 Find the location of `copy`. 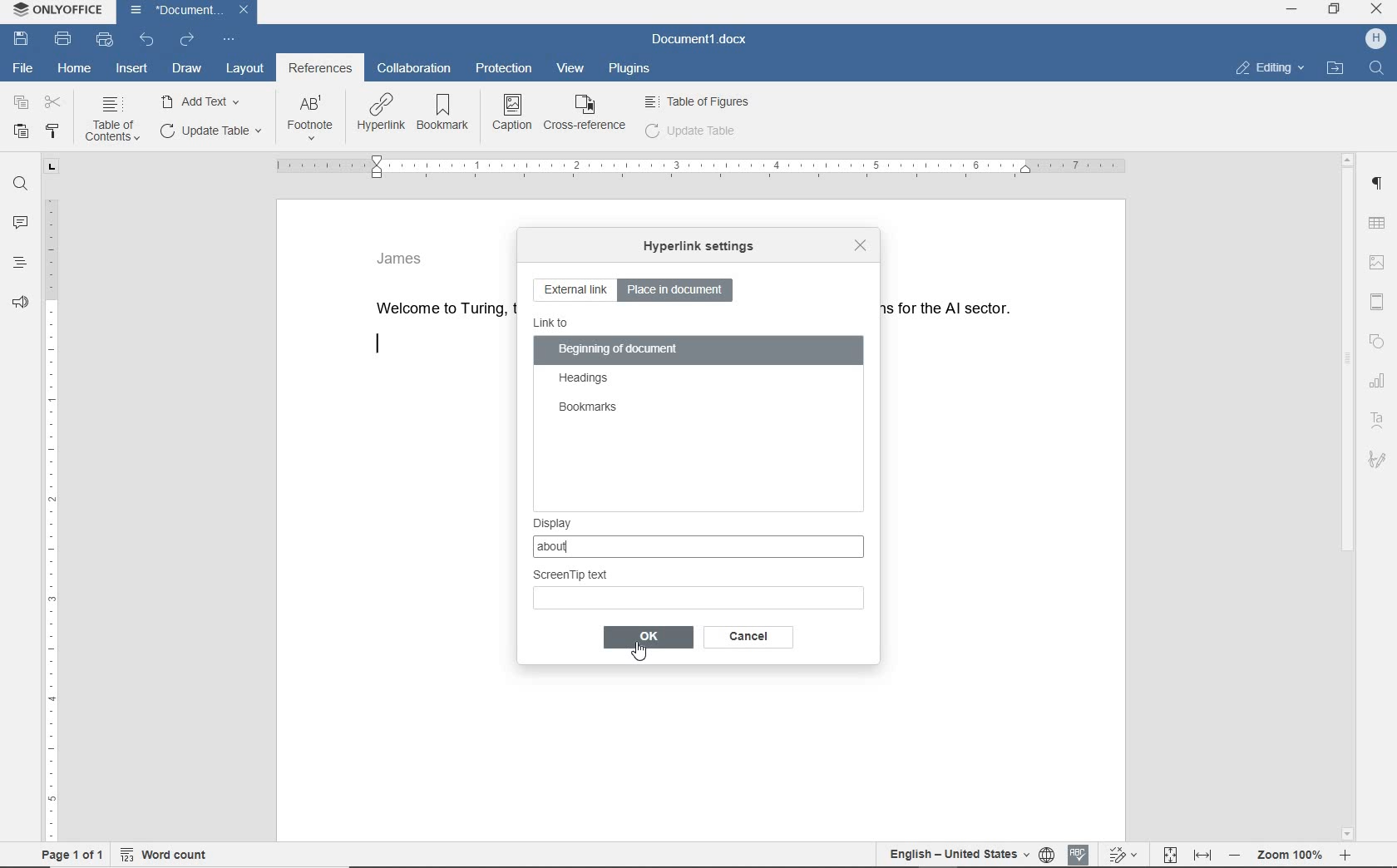

copy is located at coordinates (22, 102).